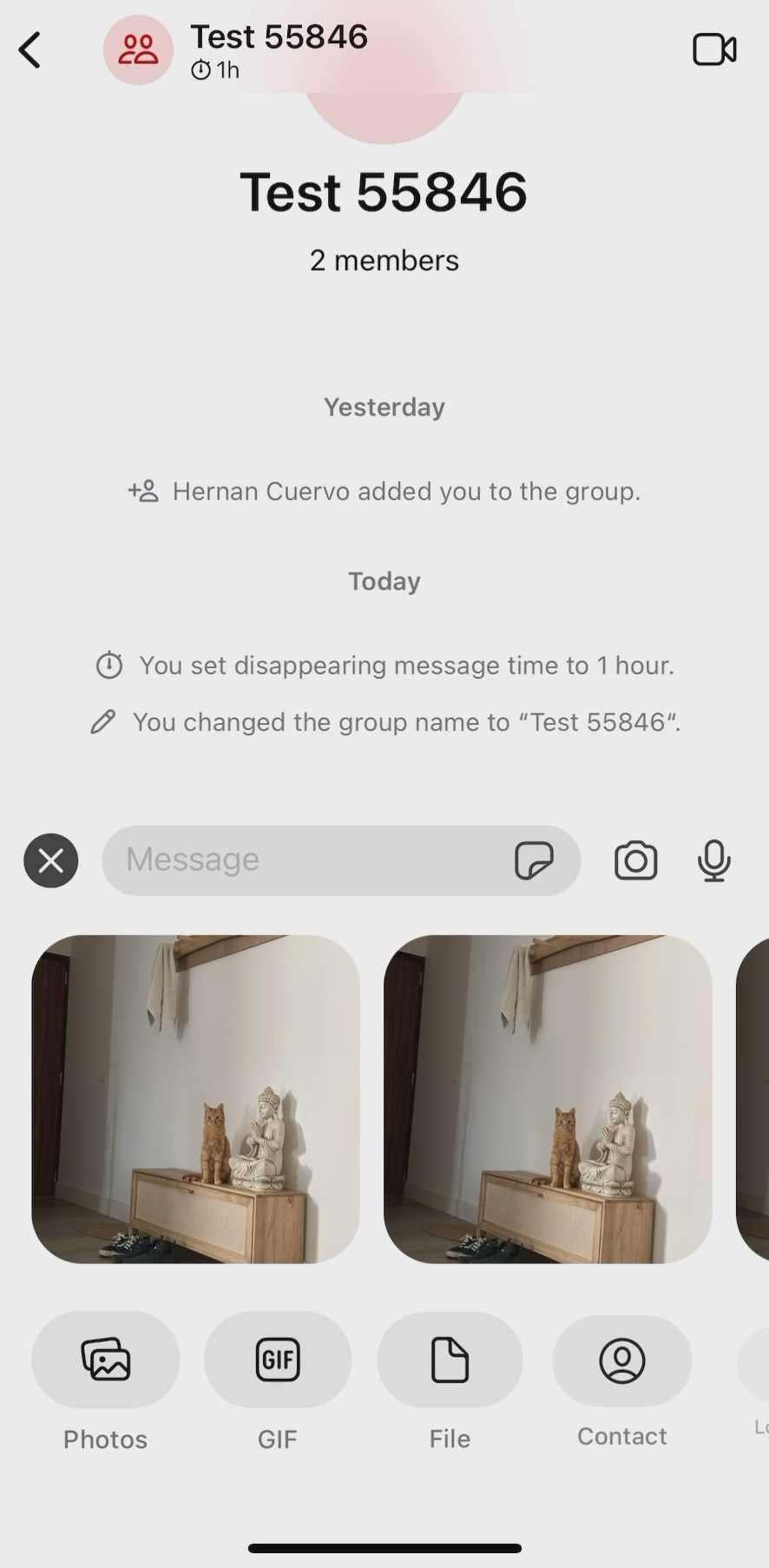  I want to click on navigate back, so click(31, 51).